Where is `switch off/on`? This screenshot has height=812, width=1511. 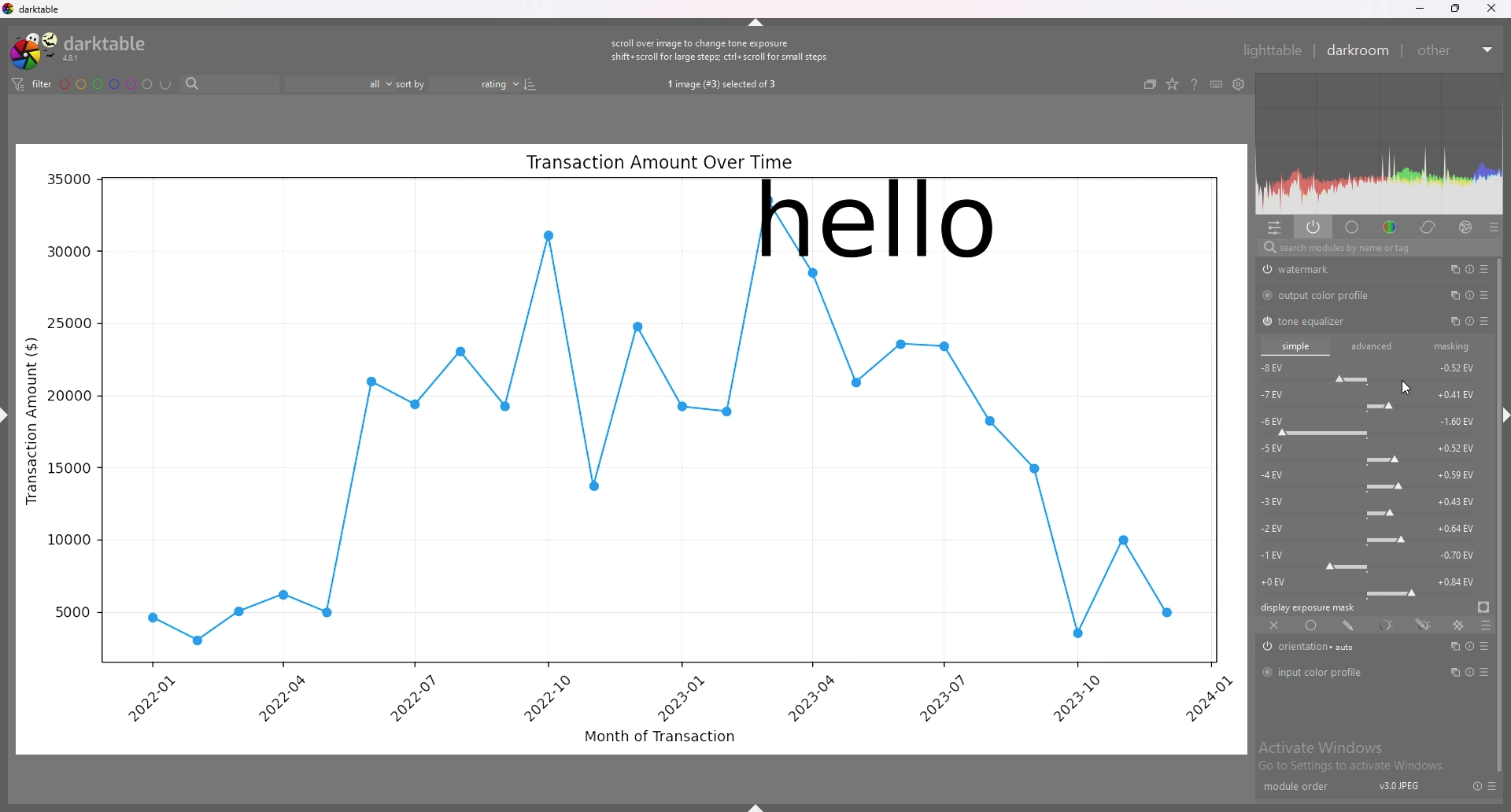
switch off/on is located at coordinates (1267, 672).